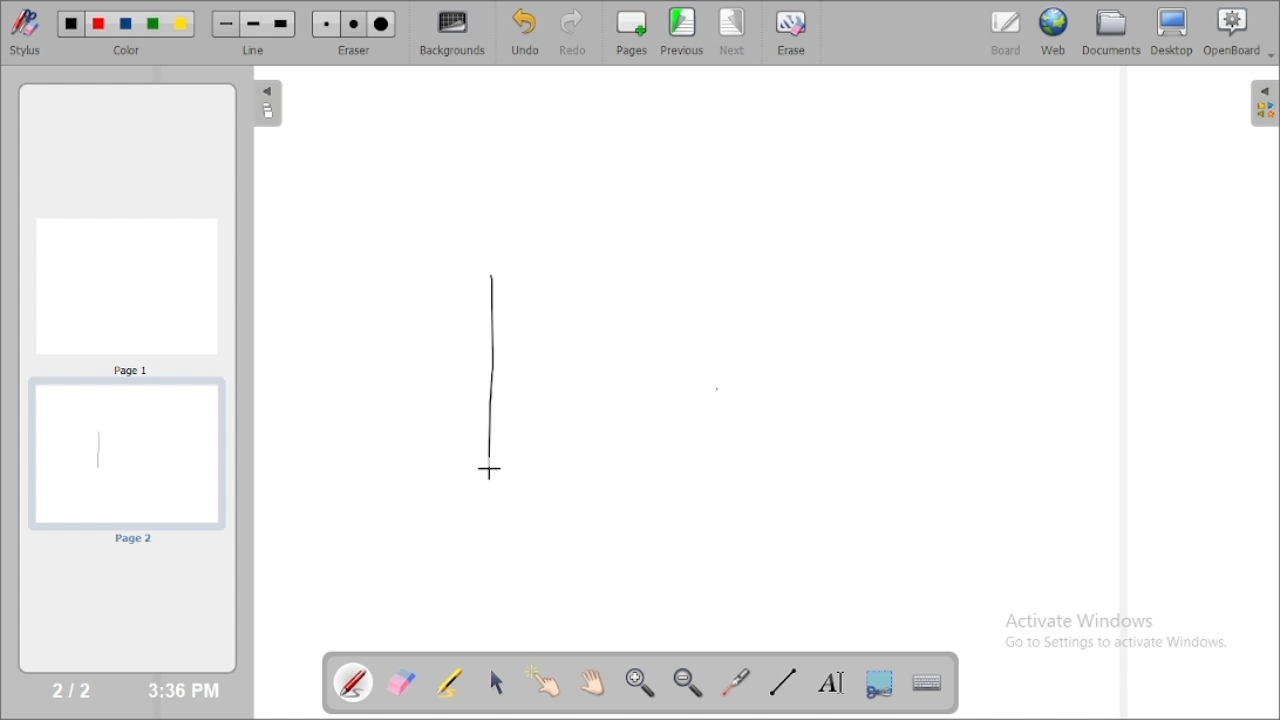  What do you see at coordinates (733, 32) in the screenshot?
I see `next` at bounding box center [733, 32].